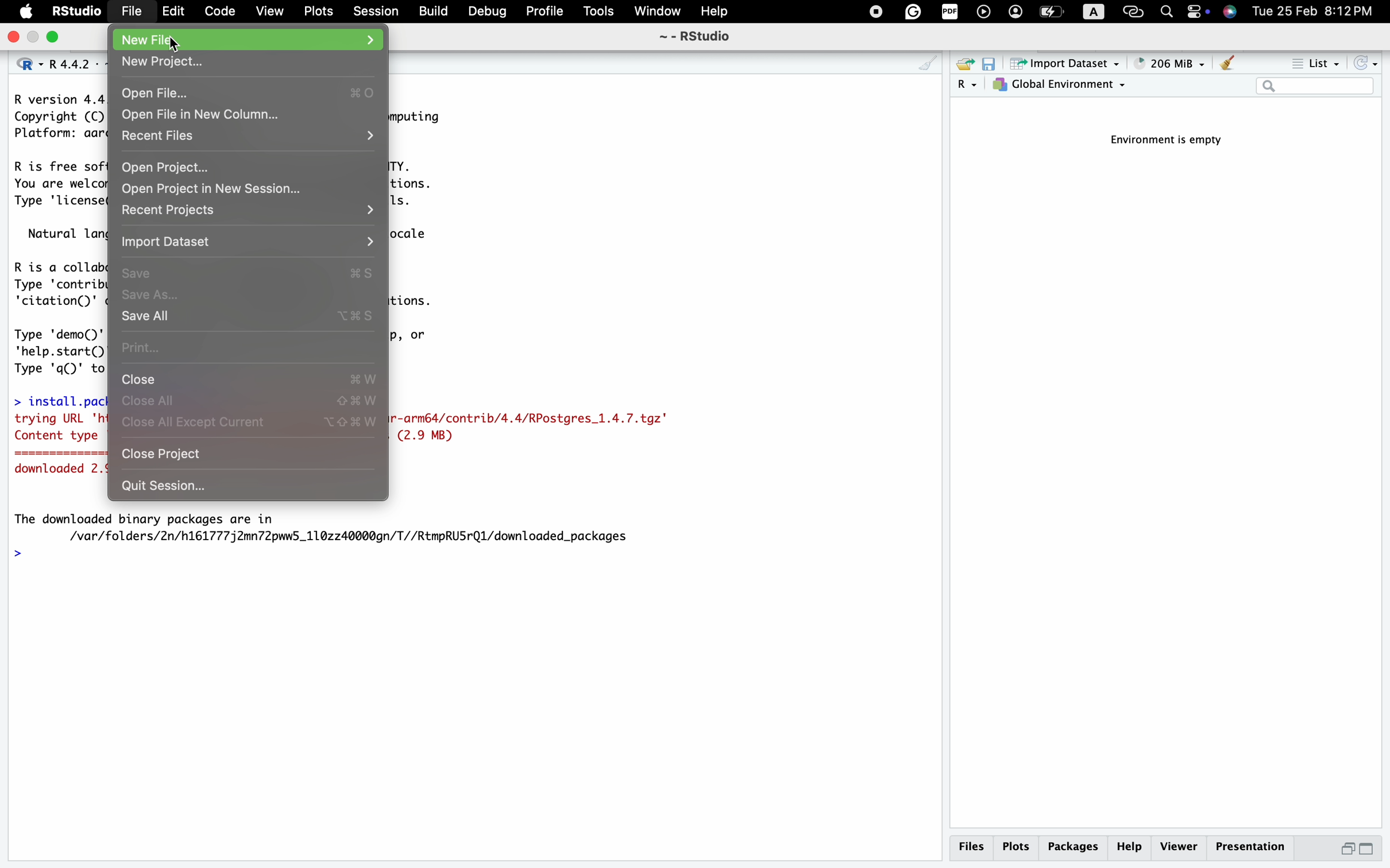 Image resolution: width=1390 pixels, height=868 pixels. I want to click on global environment, so click(1062, 87).